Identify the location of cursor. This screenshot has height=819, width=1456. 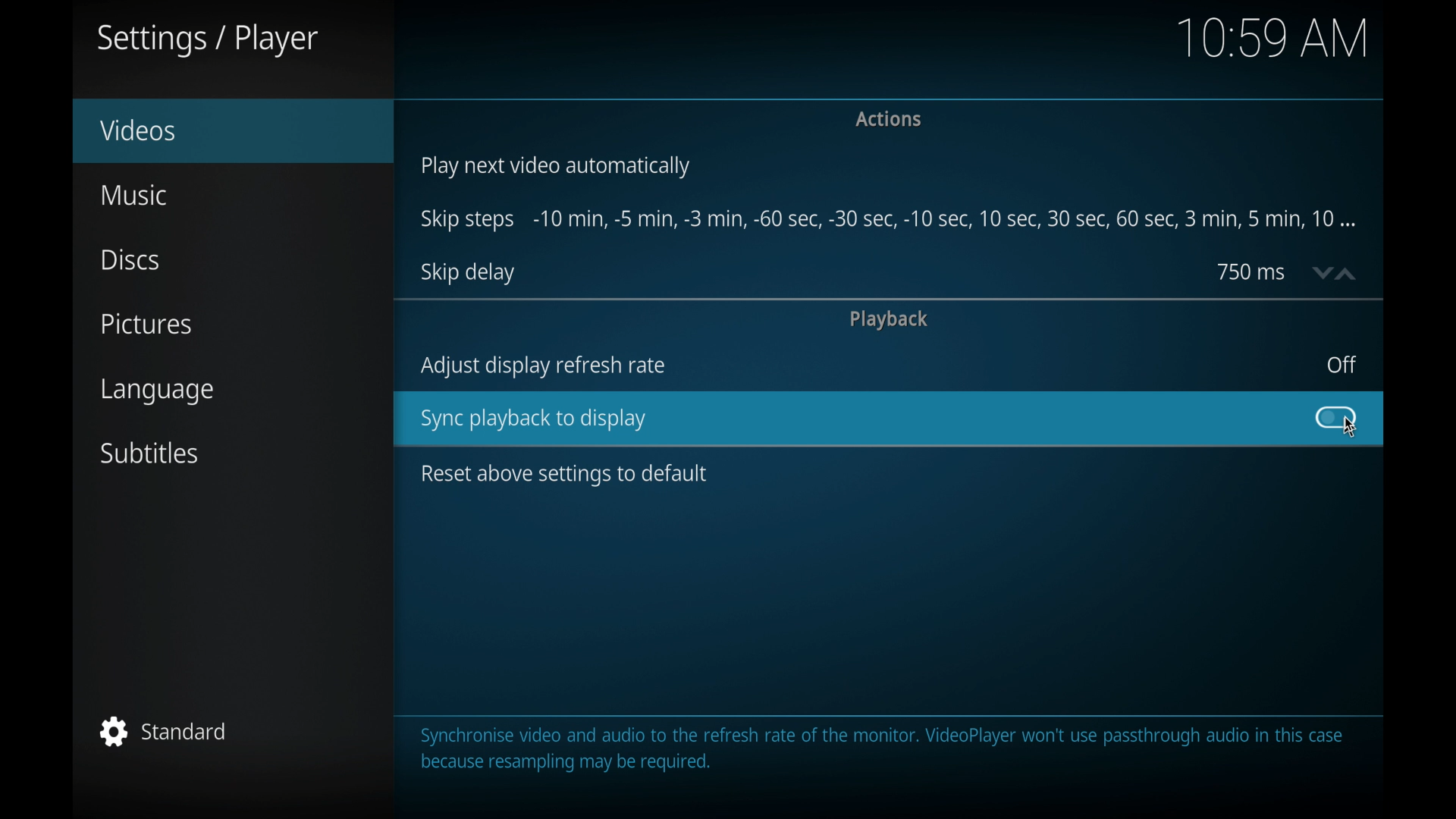
(1352, 427).